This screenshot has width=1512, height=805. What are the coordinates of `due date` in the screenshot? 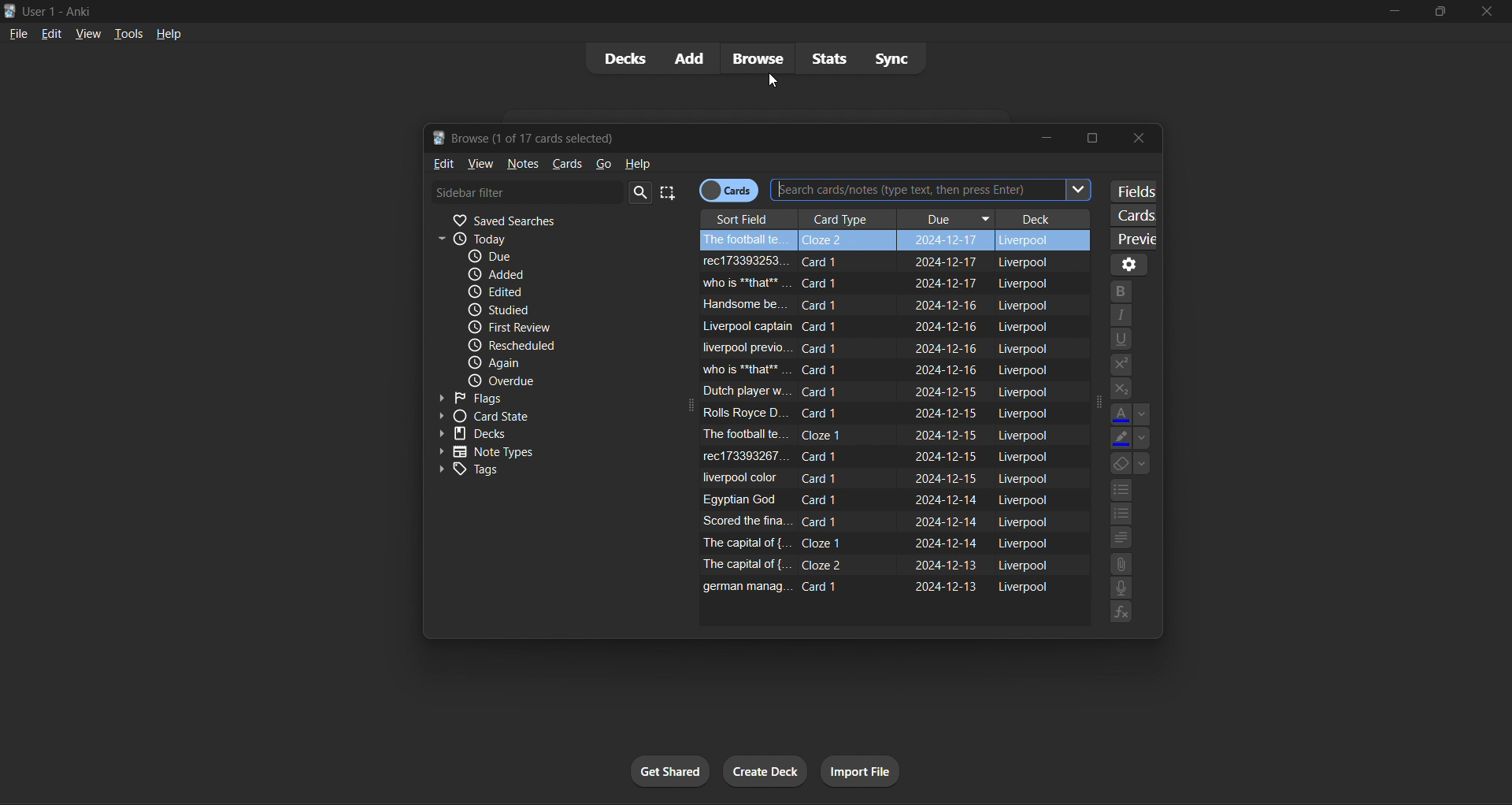 It's located at (943, 564).